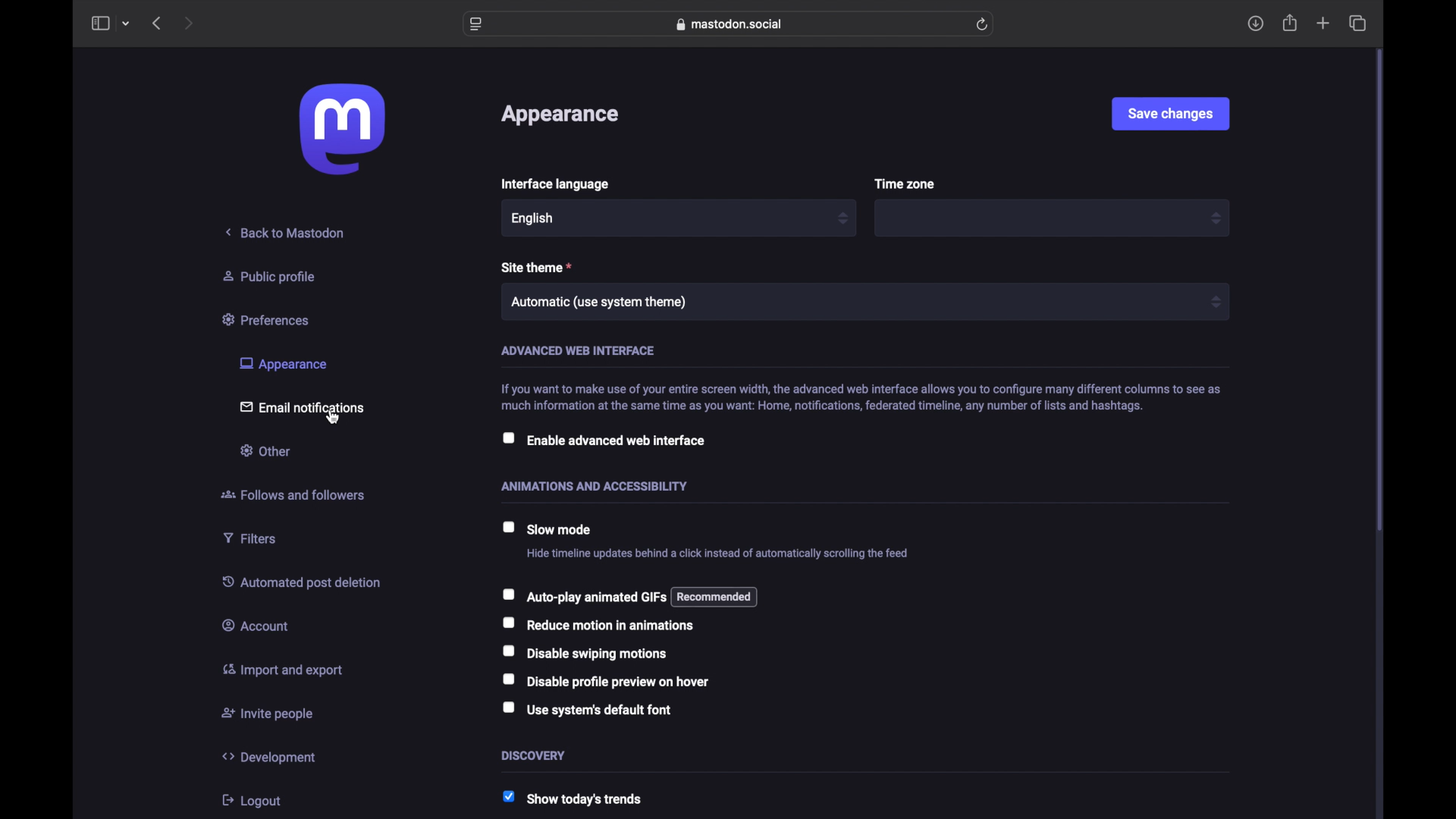 The image size is (1456, 819). What do you see at coordinates (342, 129) in the screenshot?
I see `mastodon logo` at bounding box center [342, 129].